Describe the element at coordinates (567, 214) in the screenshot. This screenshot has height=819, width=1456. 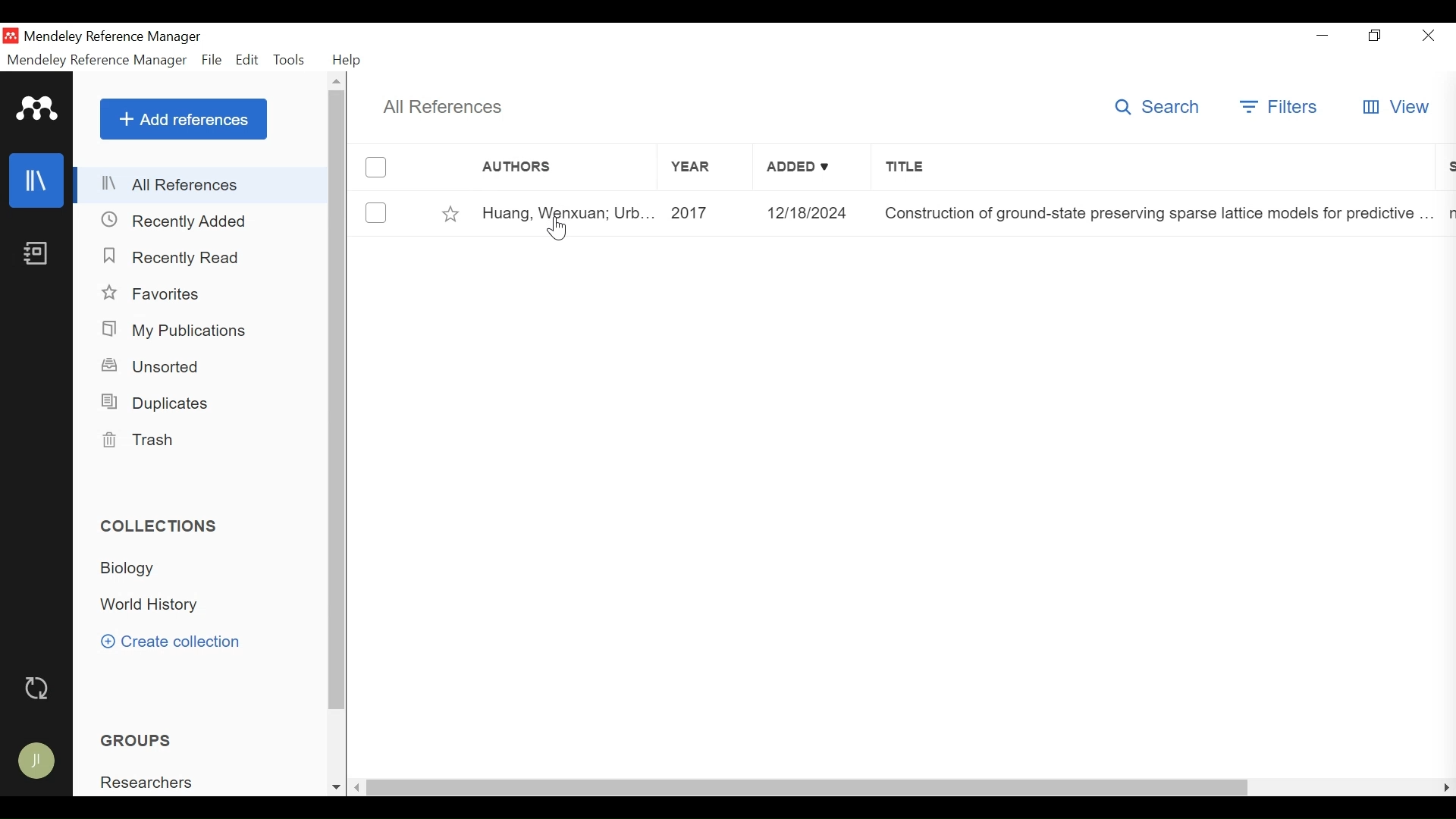
I see `Author` at that location.